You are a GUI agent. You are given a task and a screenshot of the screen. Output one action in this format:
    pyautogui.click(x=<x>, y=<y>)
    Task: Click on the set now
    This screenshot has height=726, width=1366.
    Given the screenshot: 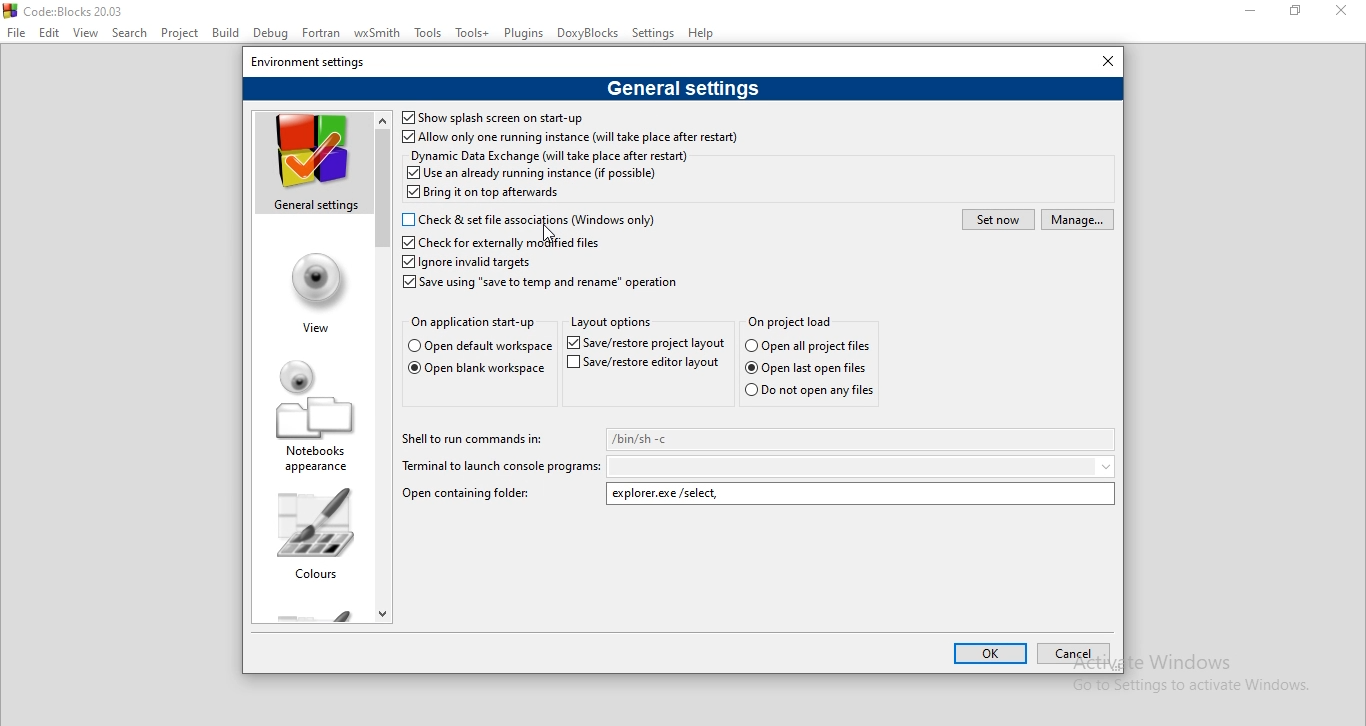 What is the action you would take?
    pyautogui.click(x=997, y=219)
    